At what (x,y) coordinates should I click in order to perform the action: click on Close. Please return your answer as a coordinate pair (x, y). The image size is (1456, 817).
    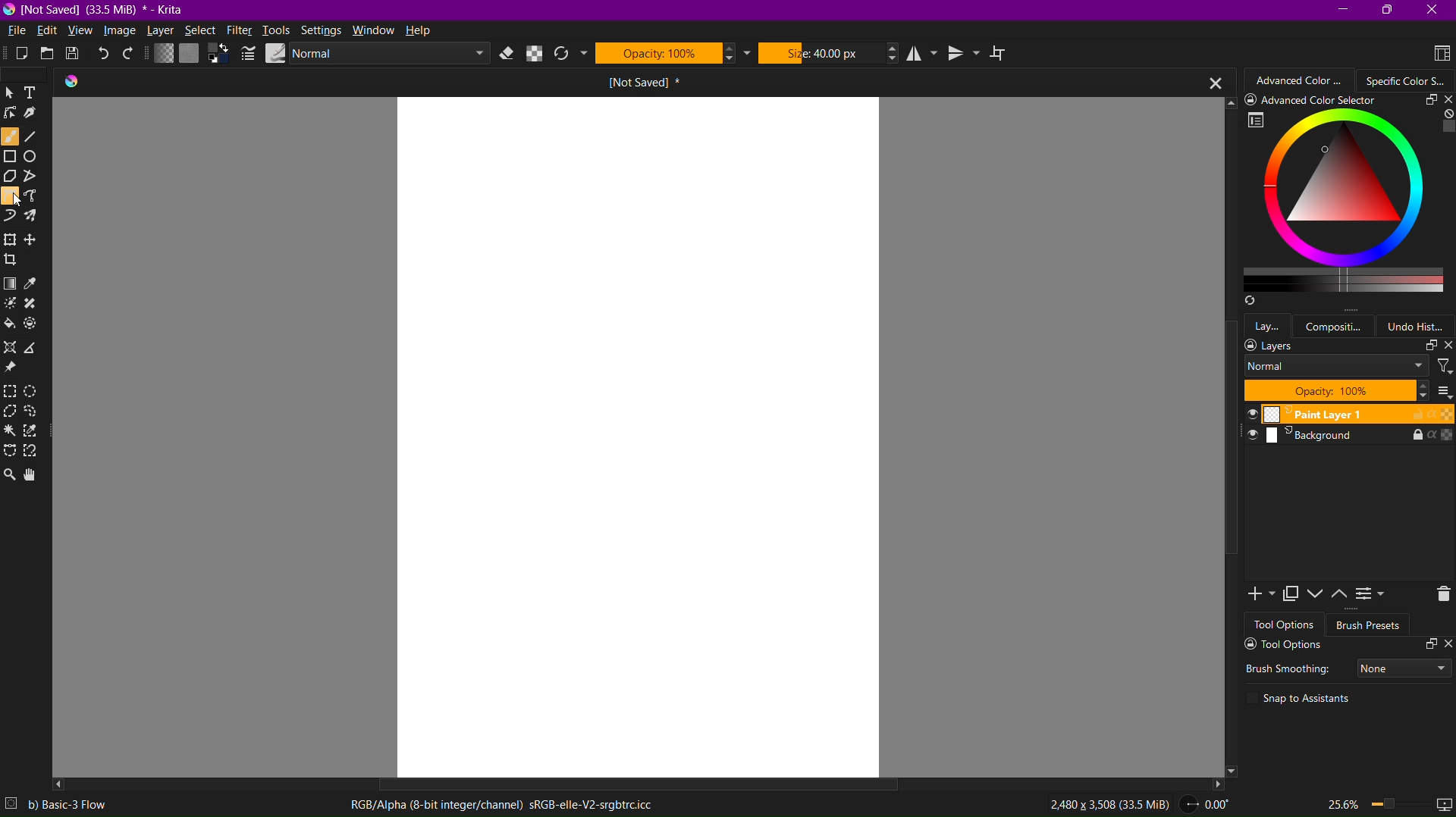
    Looking at the image, I should click on (1435, 10).